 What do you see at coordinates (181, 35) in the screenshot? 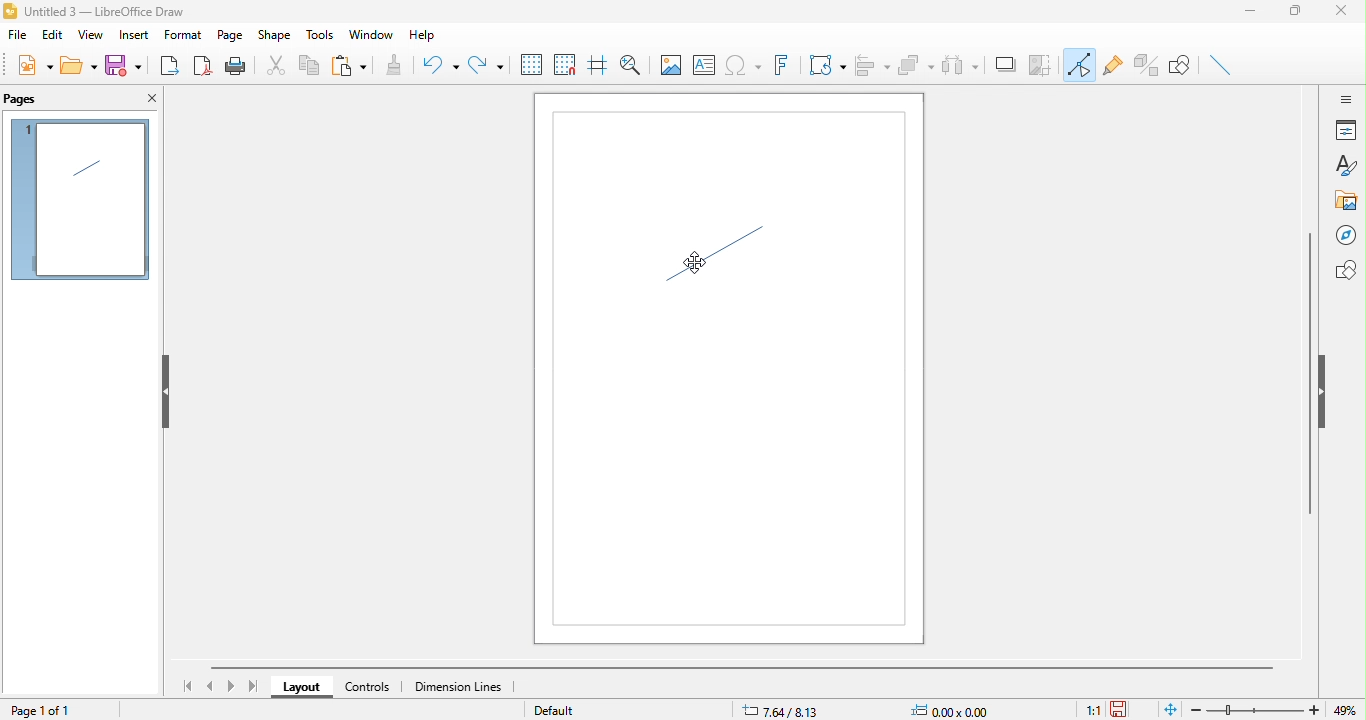
I see `format` at bounding box center [181, 35].